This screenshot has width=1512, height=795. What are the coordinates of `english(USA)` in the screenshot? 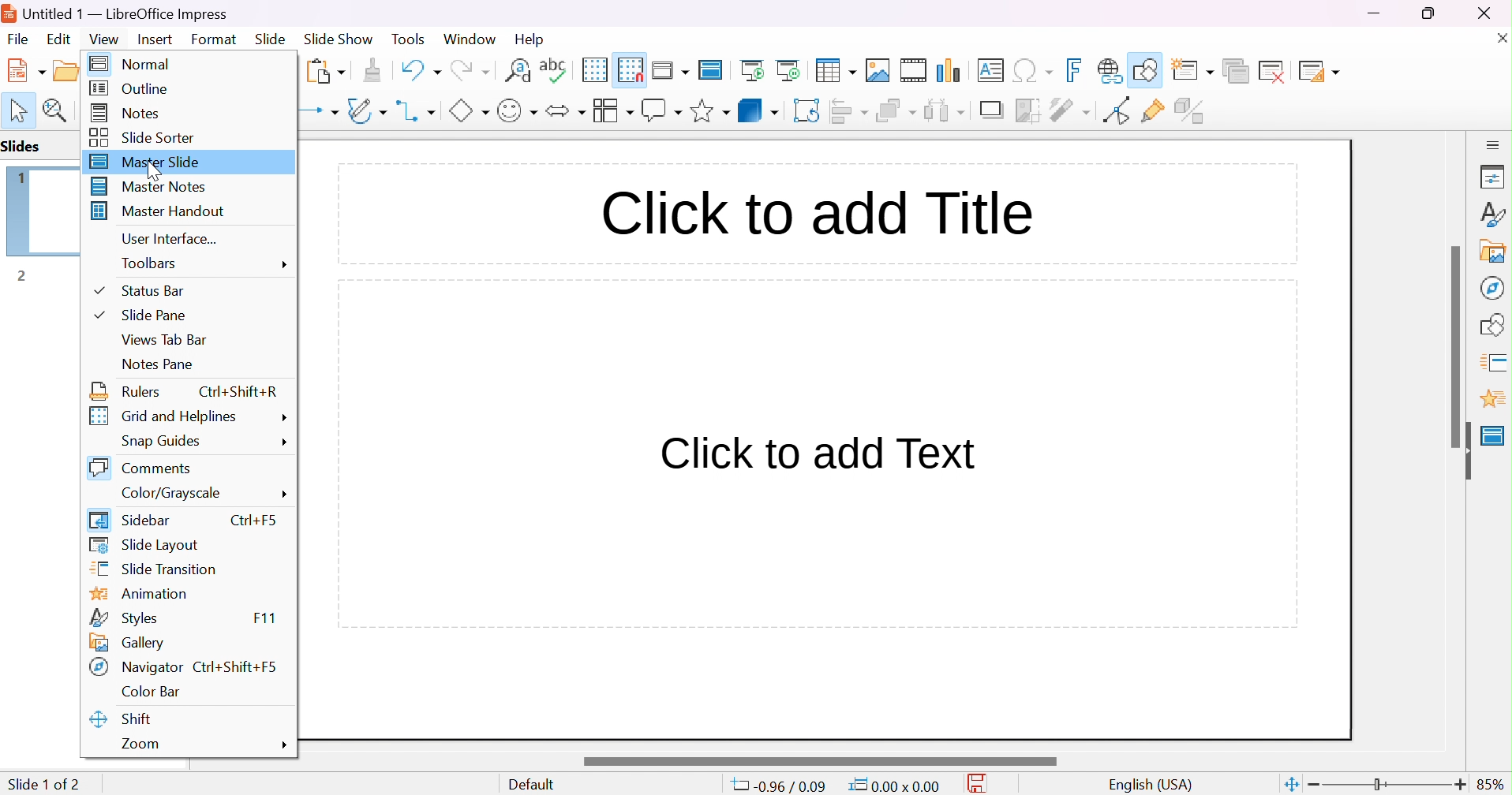 It's located at (1151, 785).